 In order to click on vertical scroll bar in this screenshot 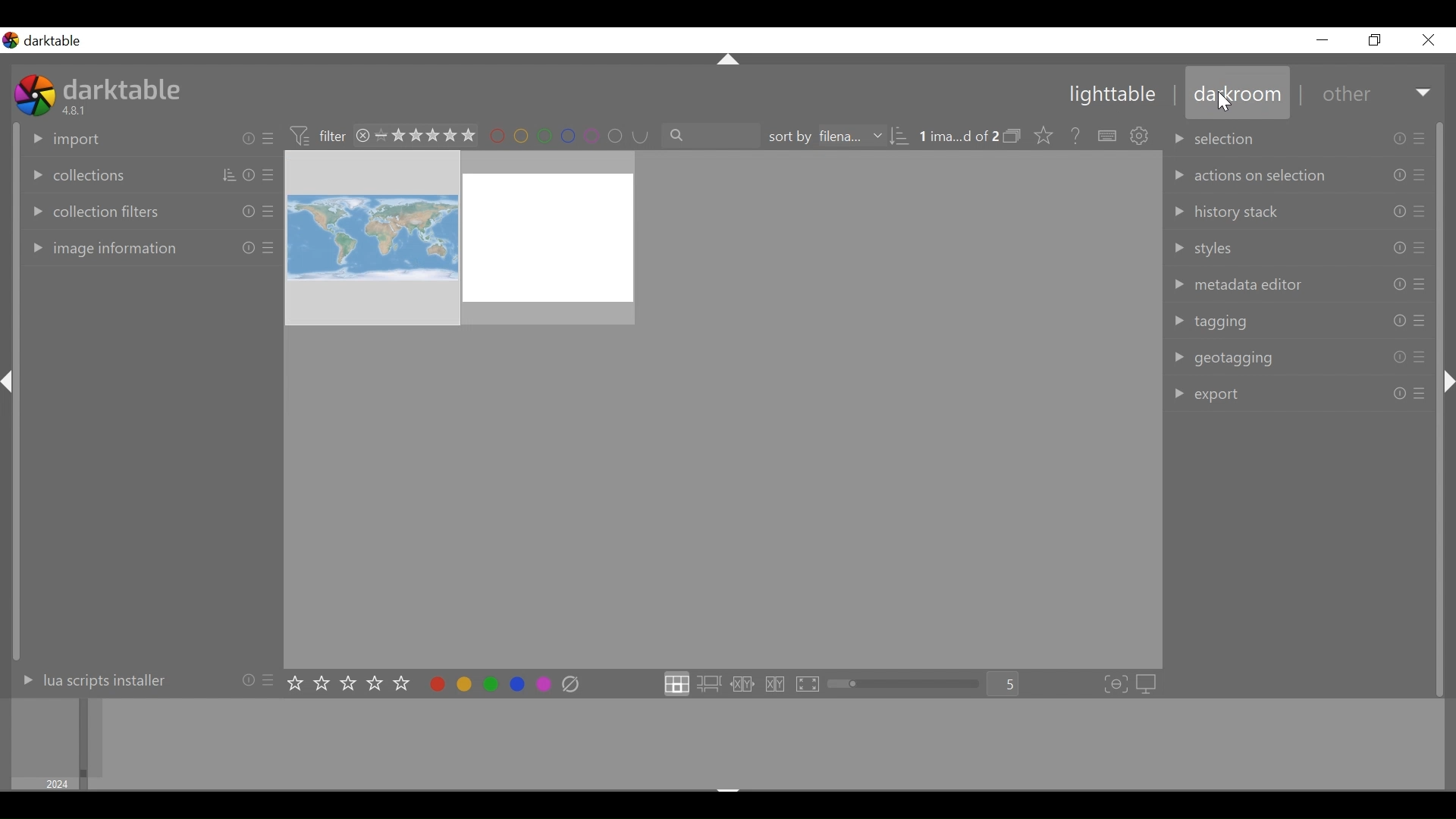, I will do `click(20, 541)`.